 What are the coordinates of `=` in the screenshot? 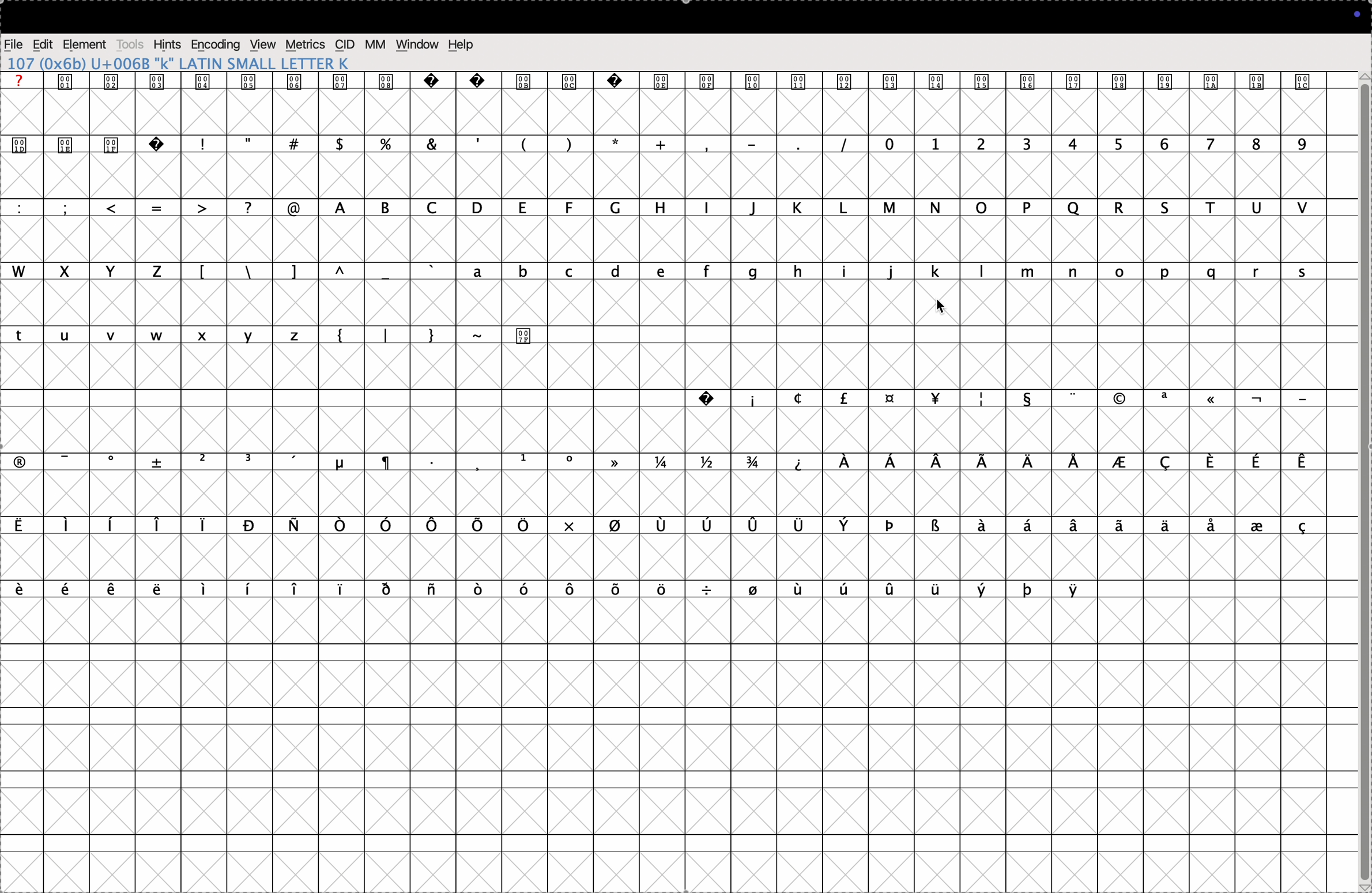 It's located at (161, 206).